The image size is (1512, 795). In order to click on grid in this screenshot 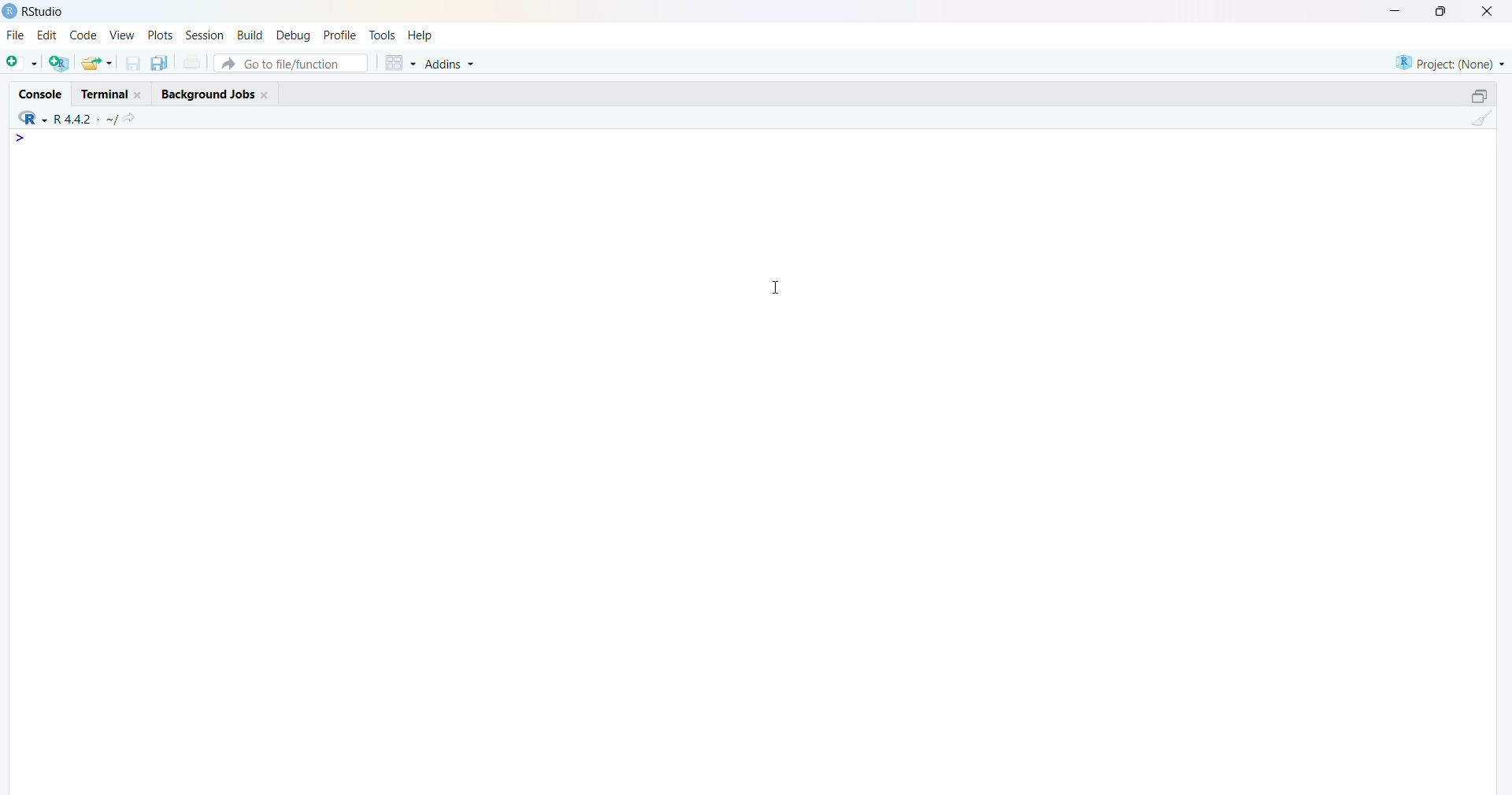, I will do `click(401, 63)`.